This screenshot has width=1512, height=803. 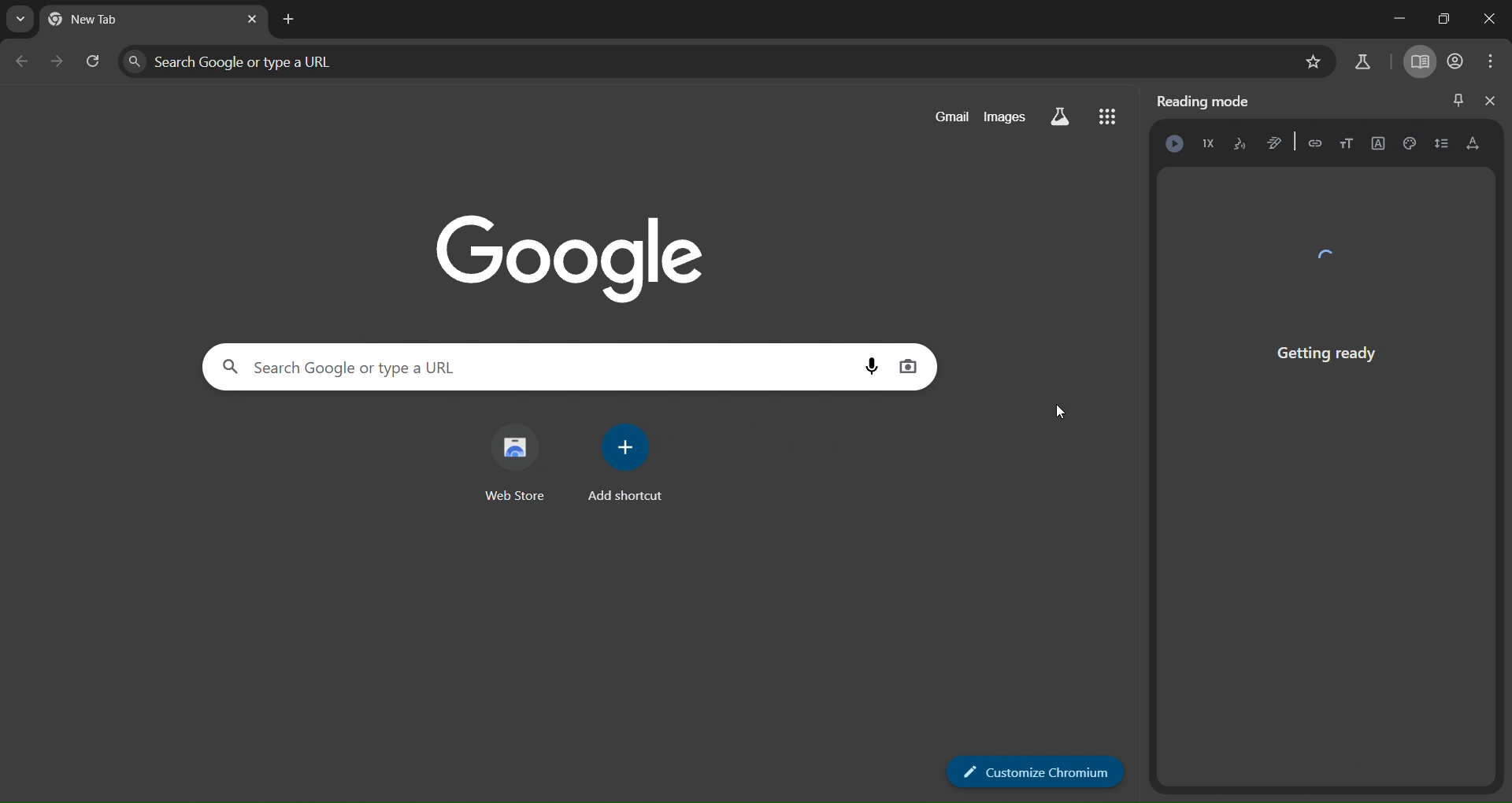 I want to click on cursor, so click(x=1065, y=417).